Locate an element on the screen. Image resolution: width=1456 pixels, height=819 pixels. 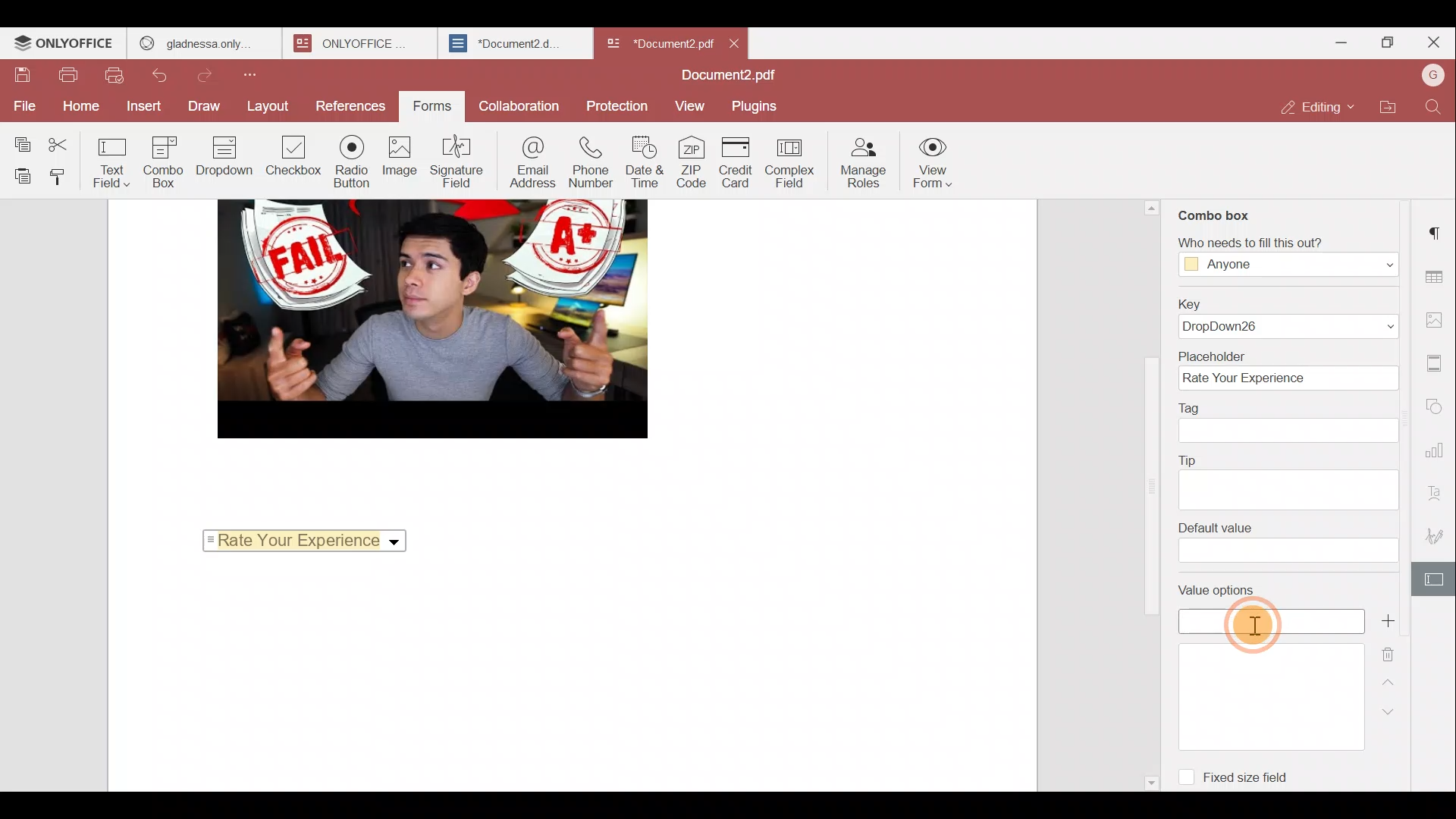
Print file is located at coordinates (68, 77).